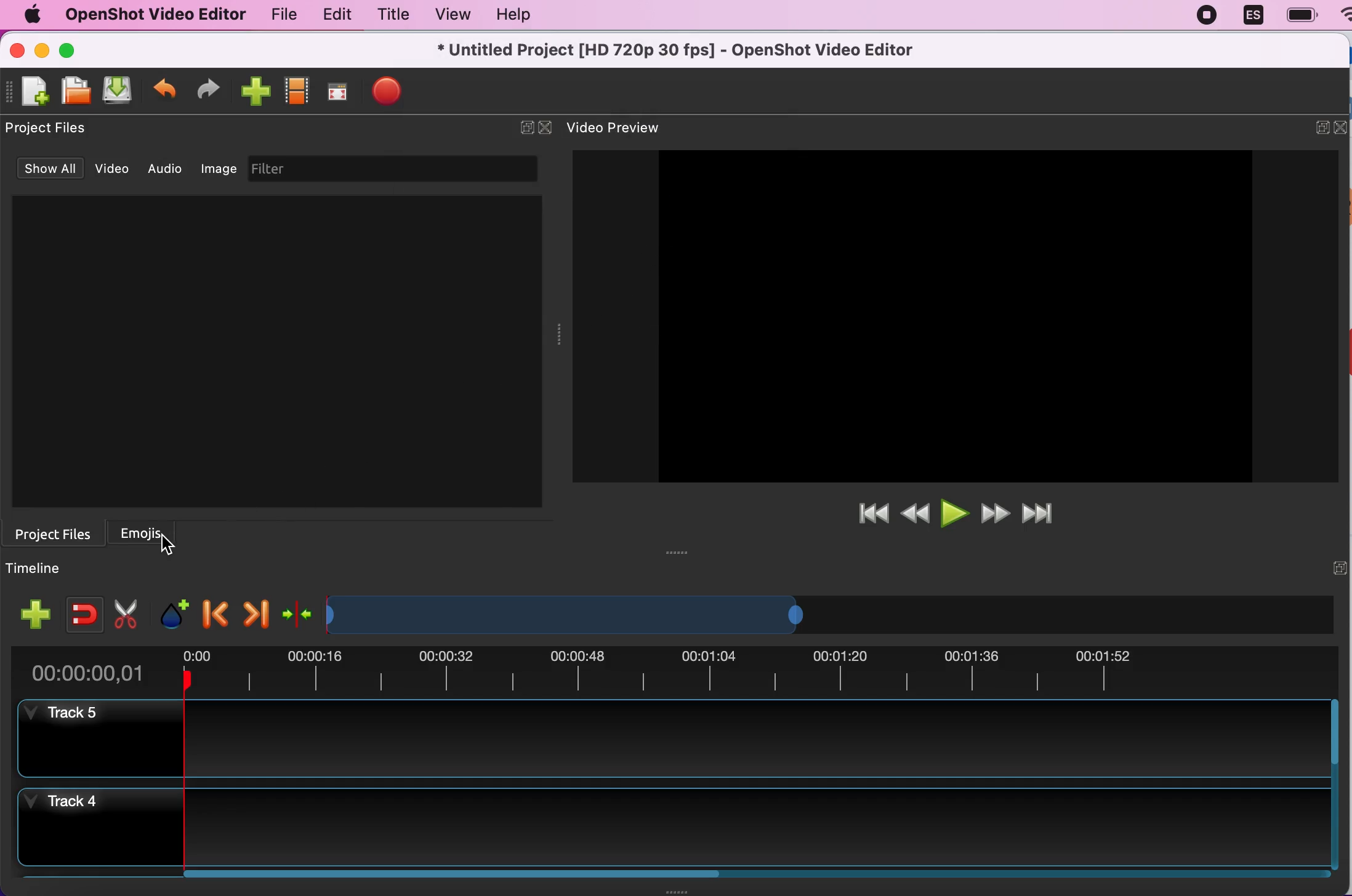 Image resolution: width=1352 pixels, height=896 pixels. What do you see at coordinates (1343, 127) in the screenshot?
I see `close` at bounding box center [1343, 127].